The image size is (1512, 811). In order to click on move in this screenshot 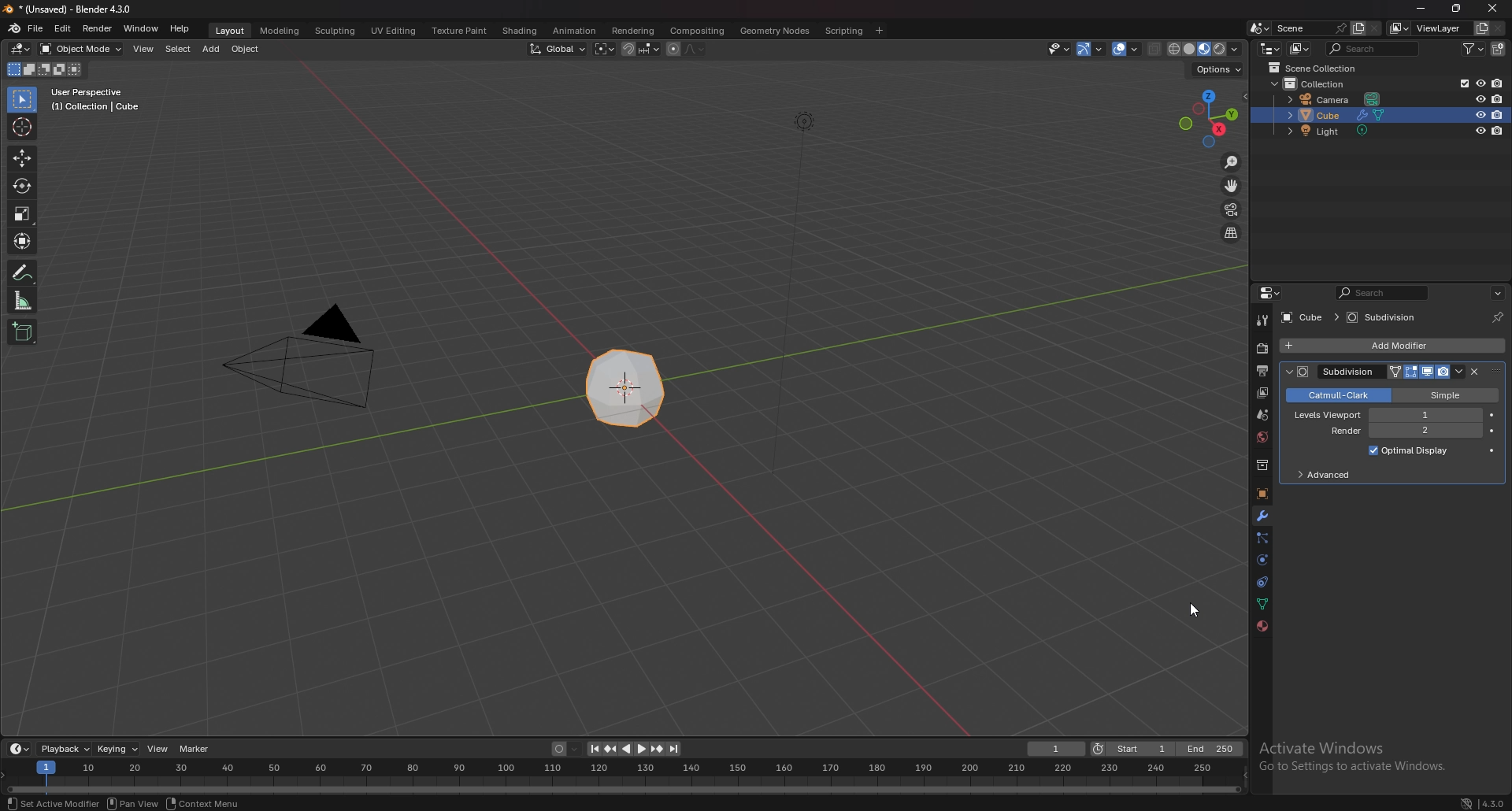, I will do `click(24, 157)`.